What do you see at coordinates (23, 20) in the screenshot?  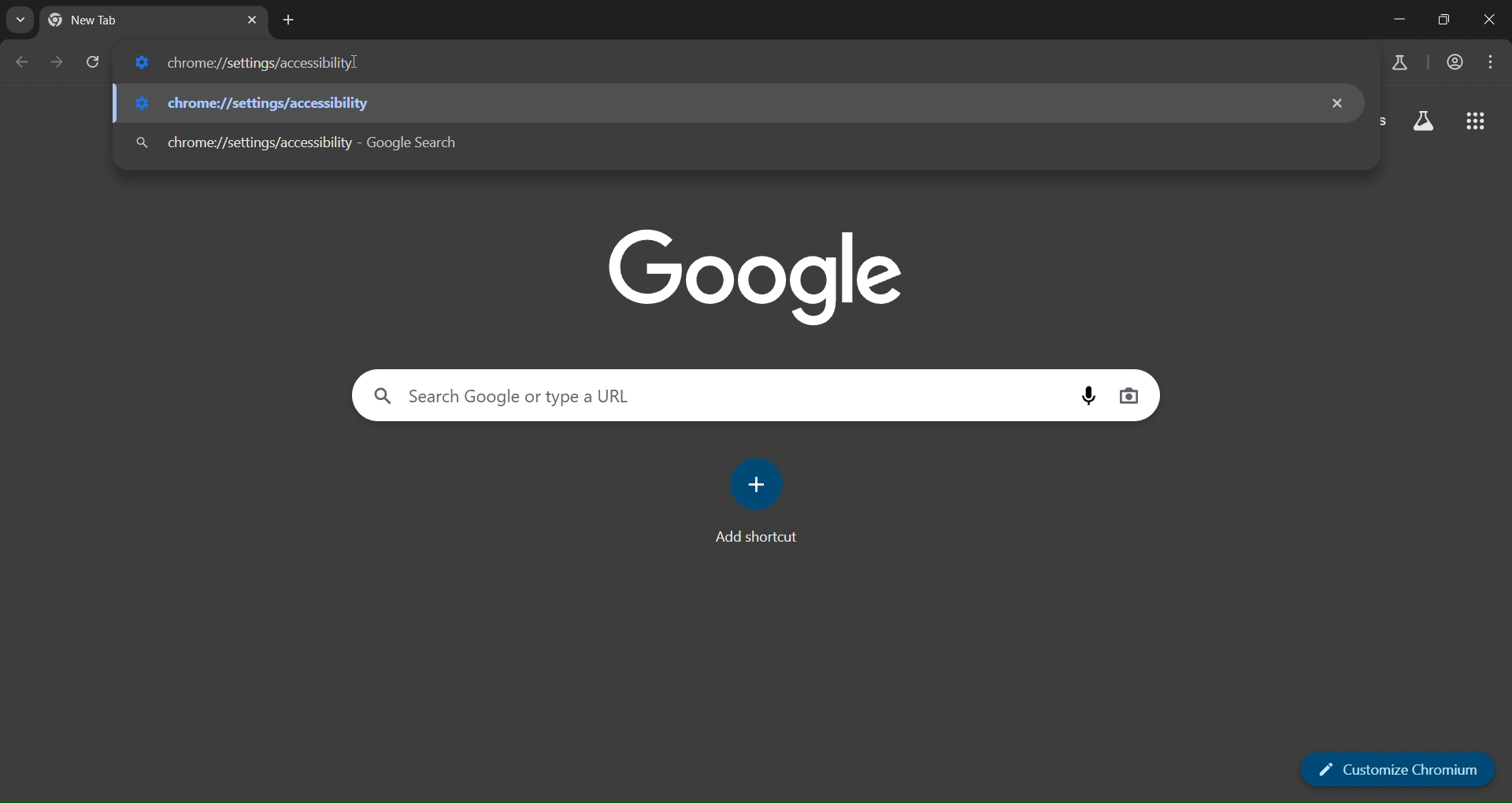 I see `search tabs` at bounding box center [23, 20].